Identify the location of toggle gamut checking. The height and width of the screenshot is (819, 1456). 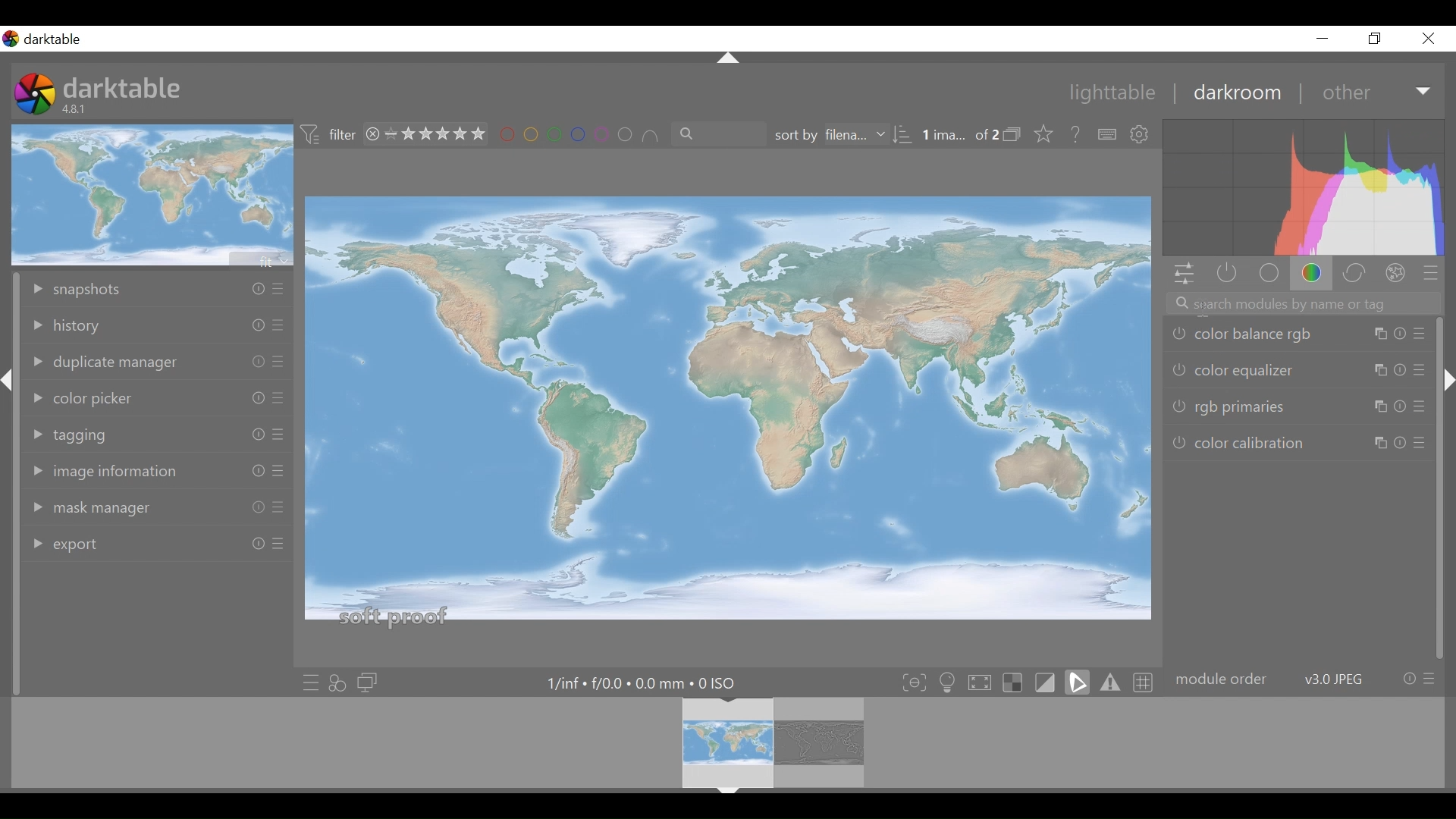
(1111, 682).